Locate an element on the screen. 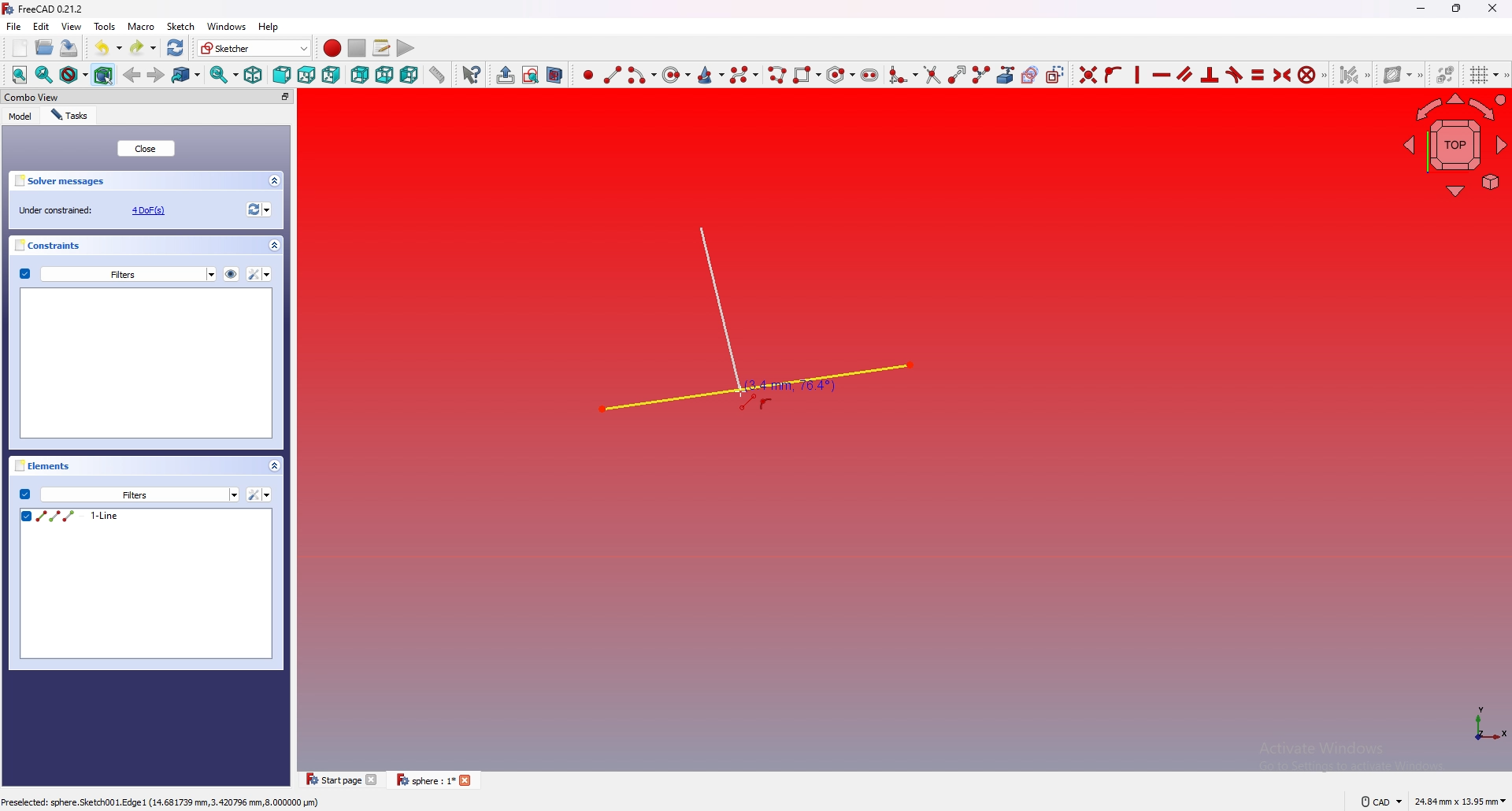  Create B-spline is located at coordinates (745, 74).